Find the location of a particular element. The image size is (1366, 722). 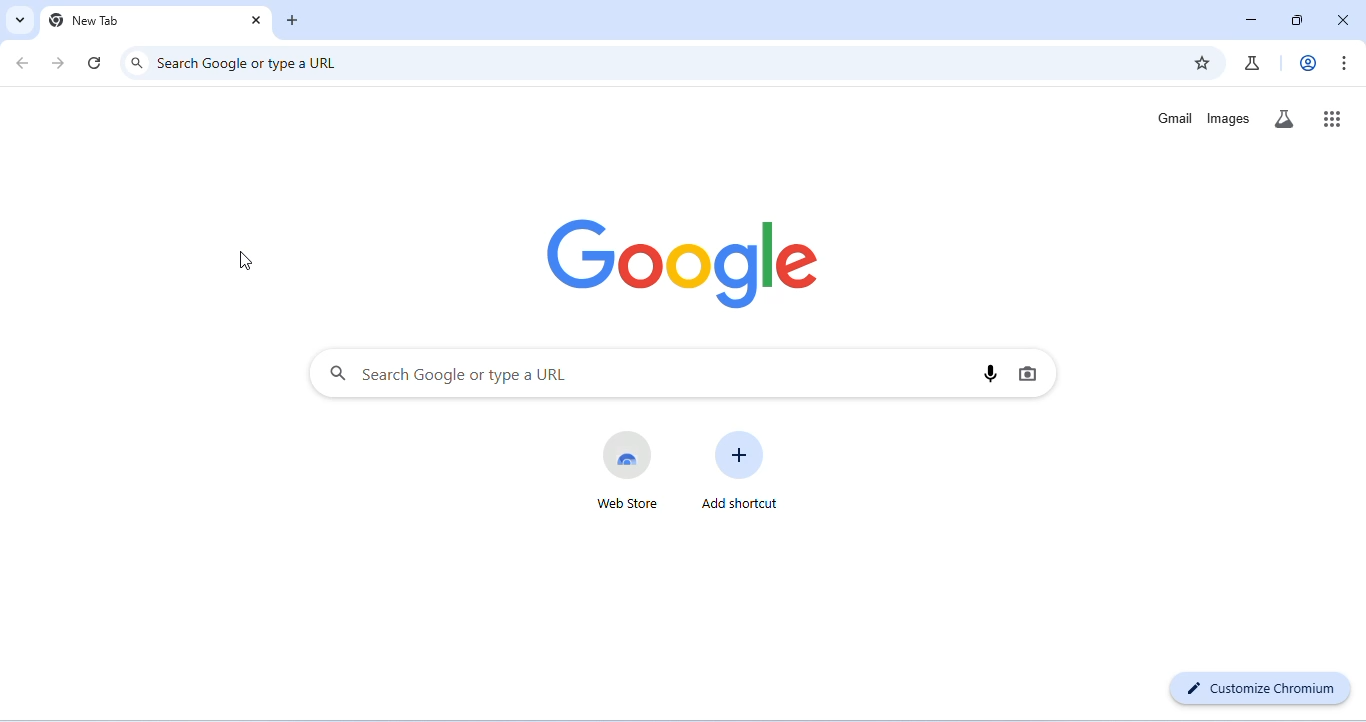

close is located at coordinates (1345, 19).